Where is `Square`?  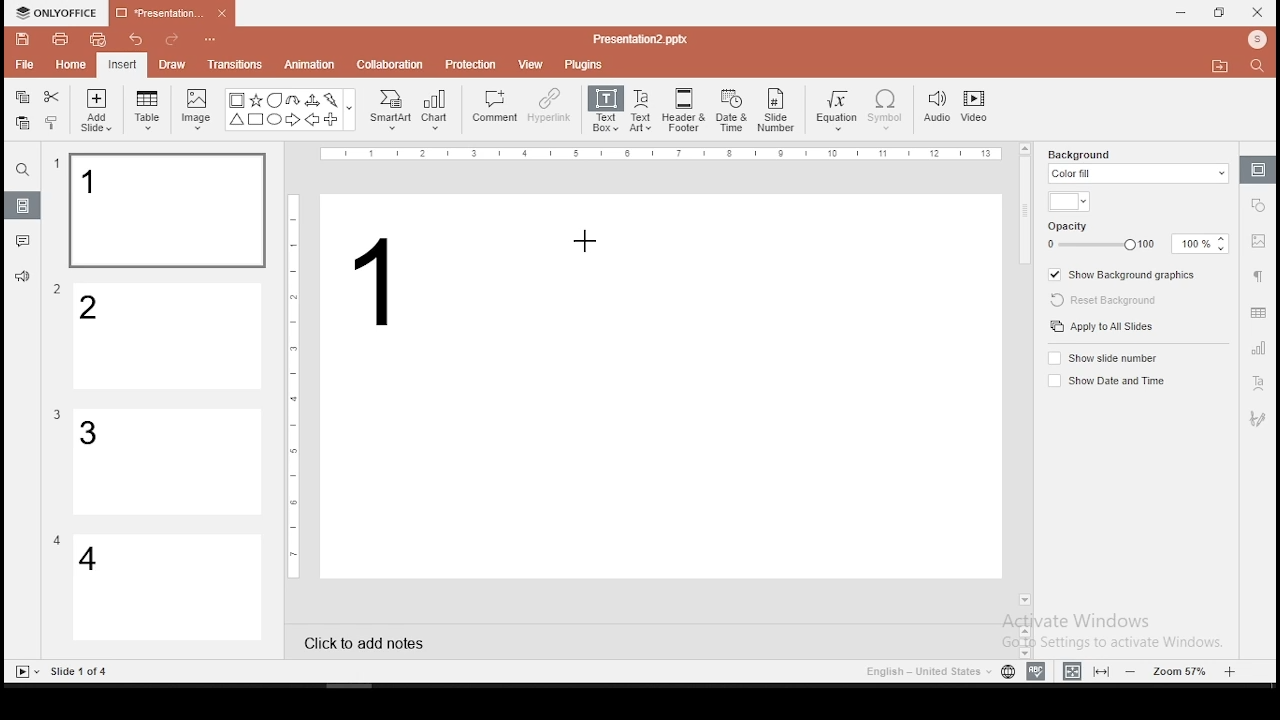 Square is located at coordinates (255, 121).